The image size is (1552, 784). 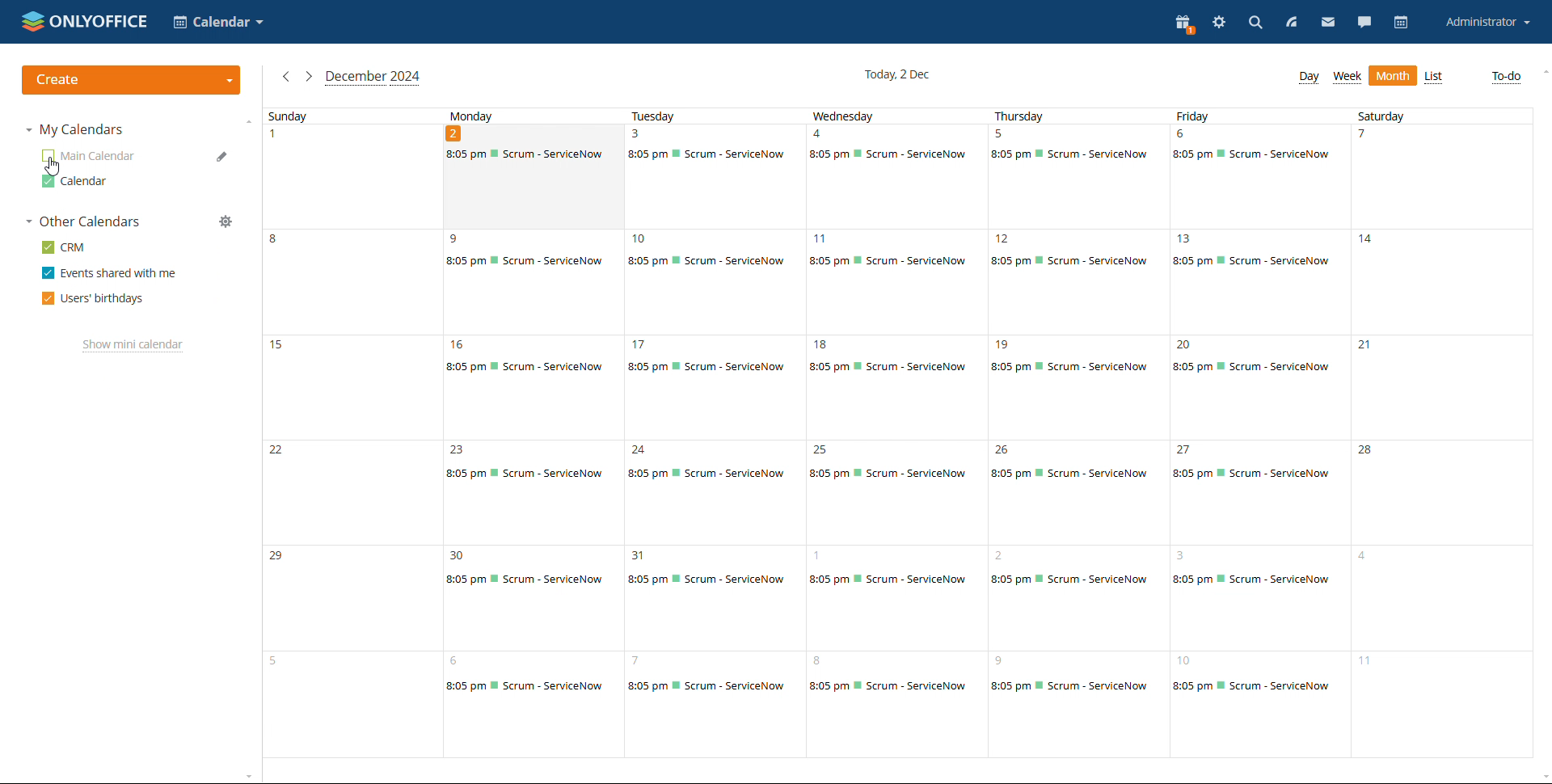 I want to click on present, so click(x=1185, y=24).